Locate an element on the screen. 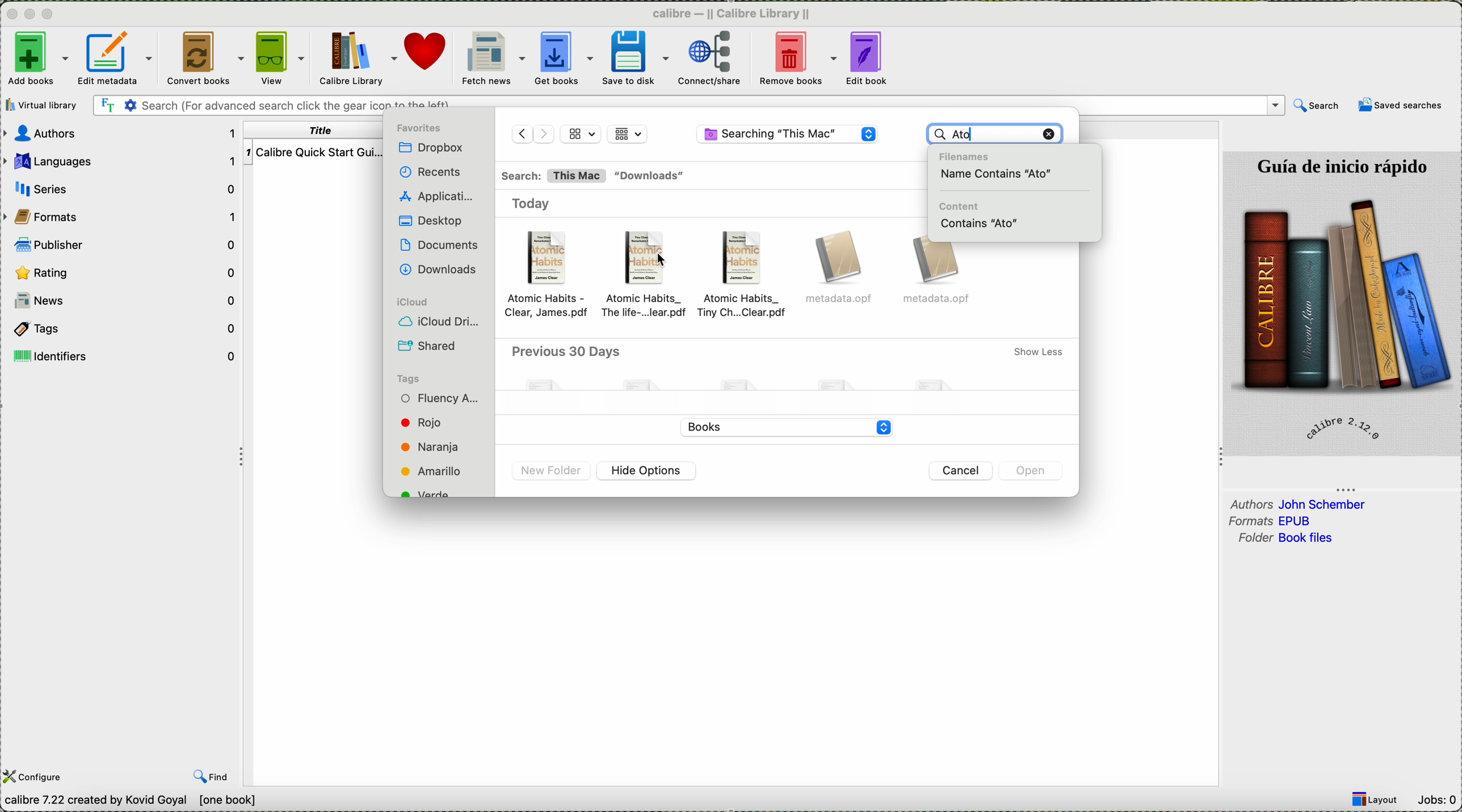 This screenshot has height=812, width=1462. title is located at coordinates (316, 131).